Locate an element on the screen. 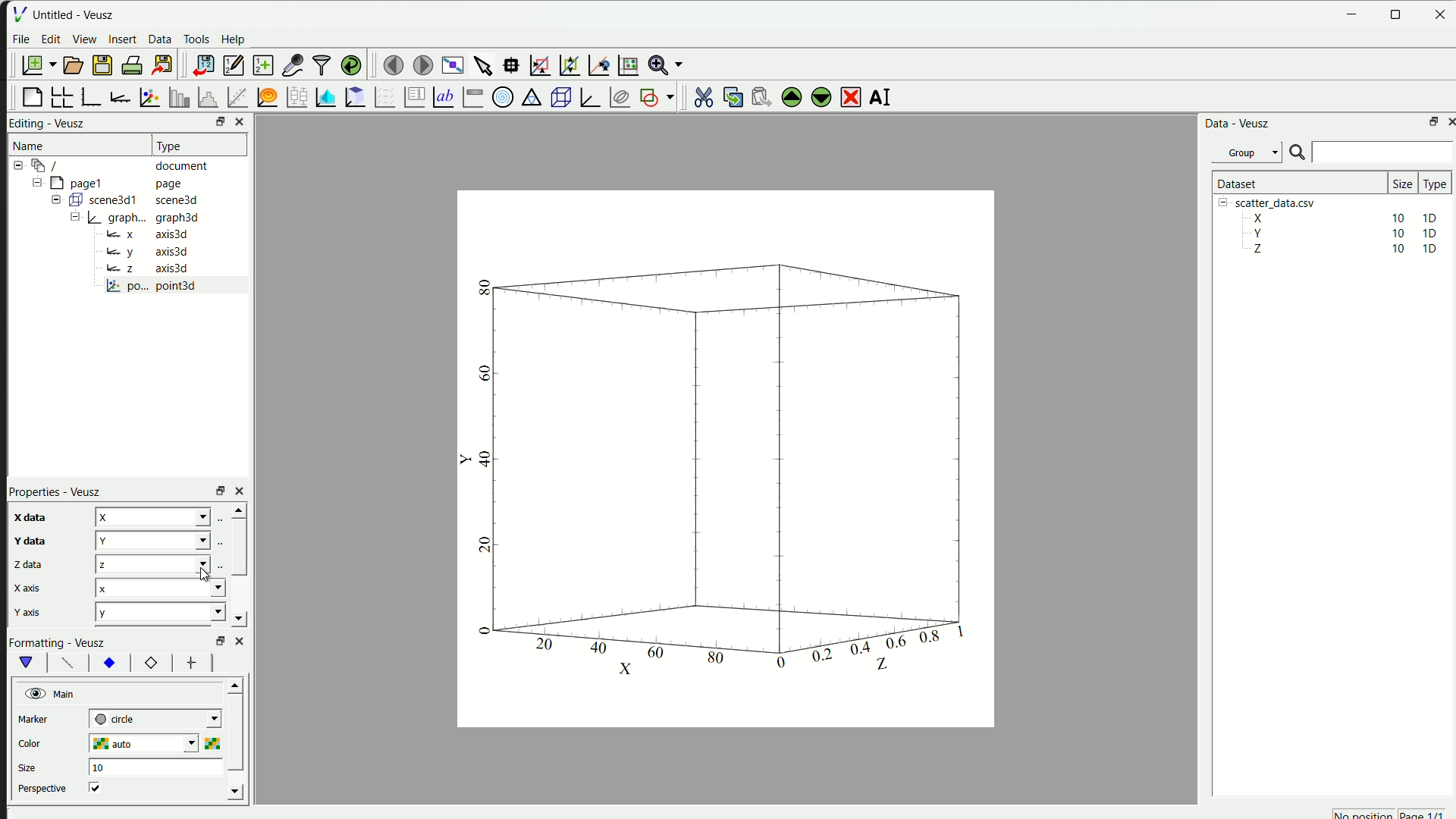 Image resolution: width=1456 pixels, height=819 pixels. Tools is located at coordinates (196, 38).